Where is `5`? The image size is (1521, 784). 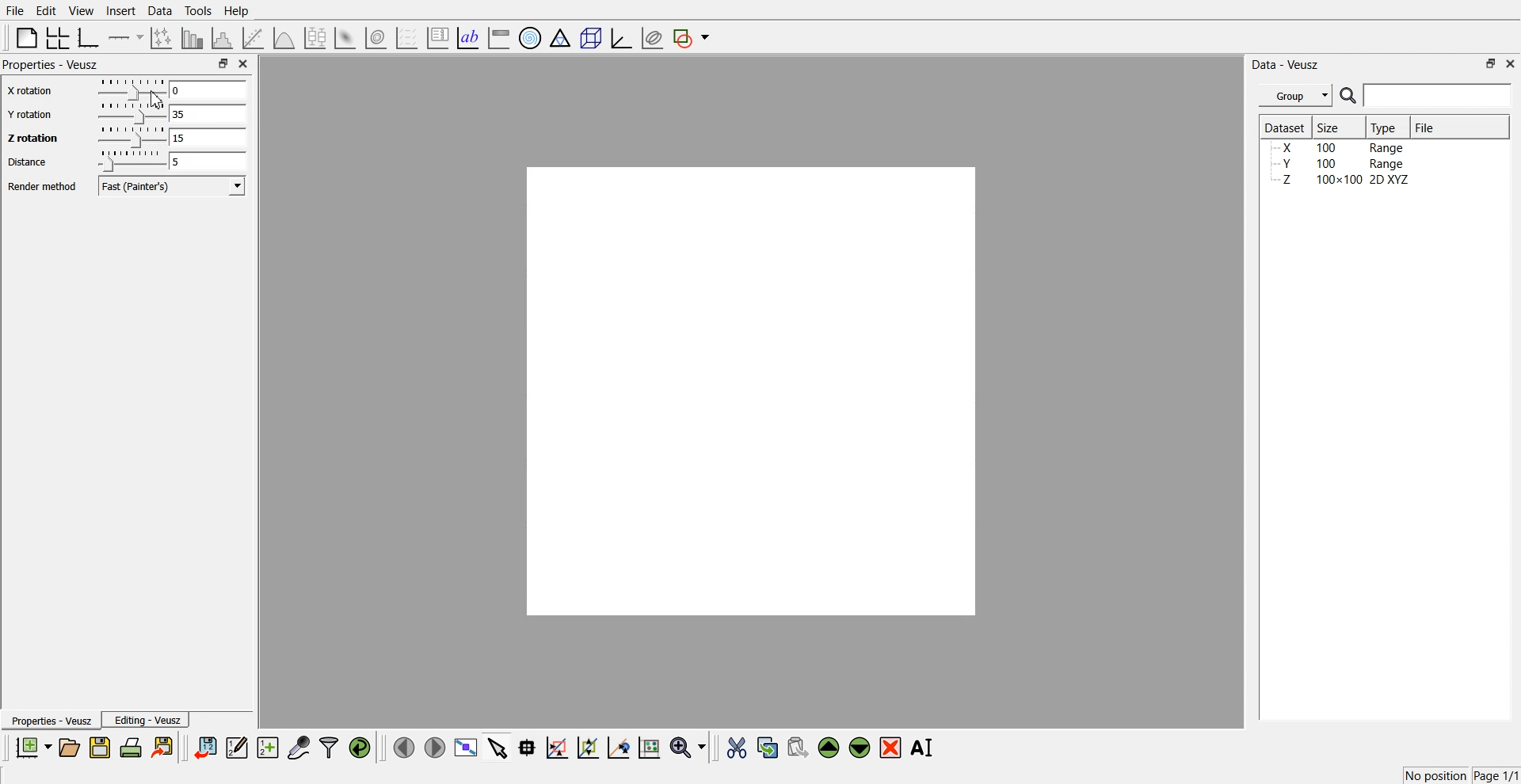 5 is located at coordinates (208, 162).